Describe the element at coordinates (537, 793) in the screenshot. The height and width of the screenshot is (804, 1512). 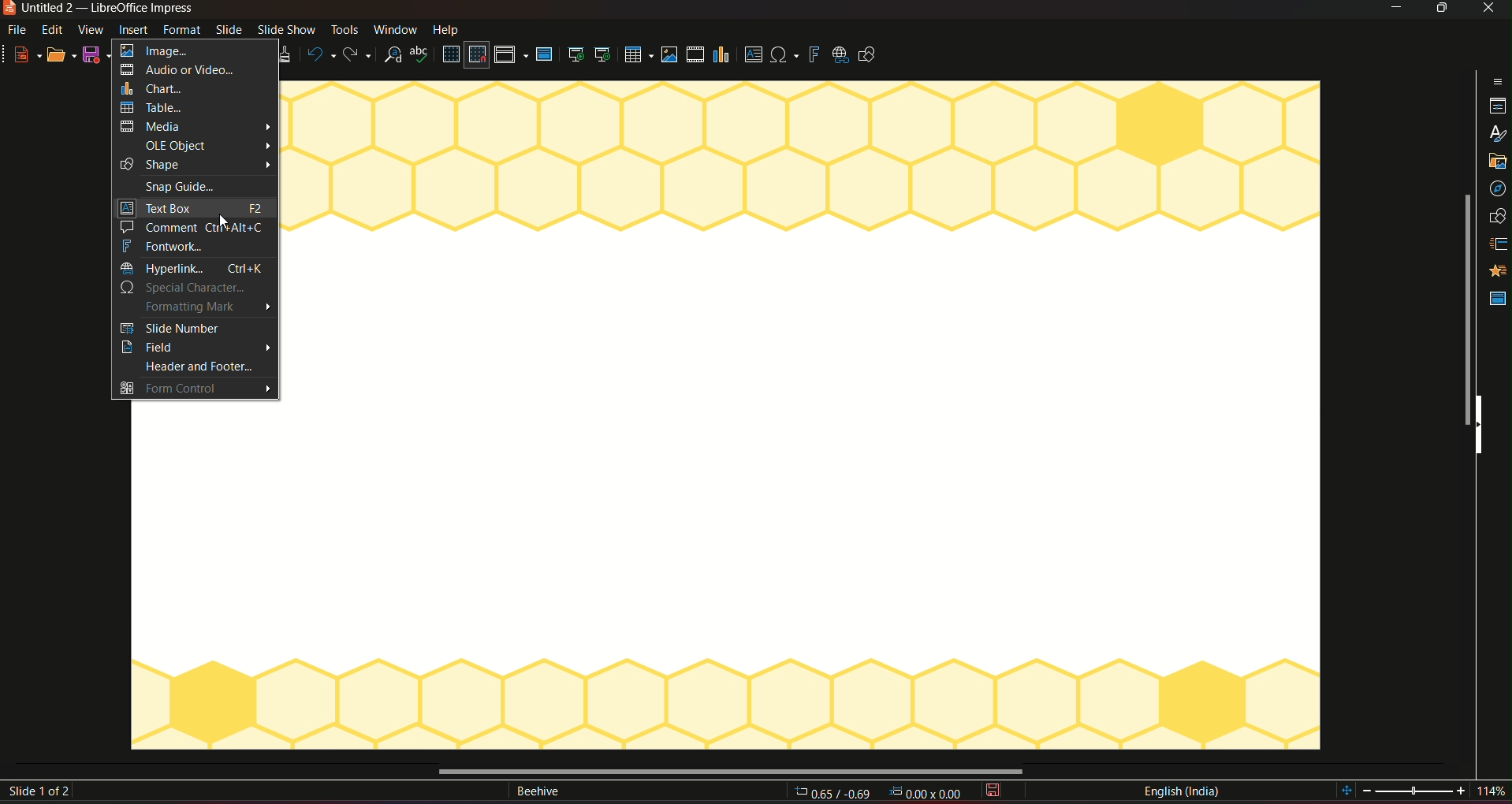
I see `text` at that location.